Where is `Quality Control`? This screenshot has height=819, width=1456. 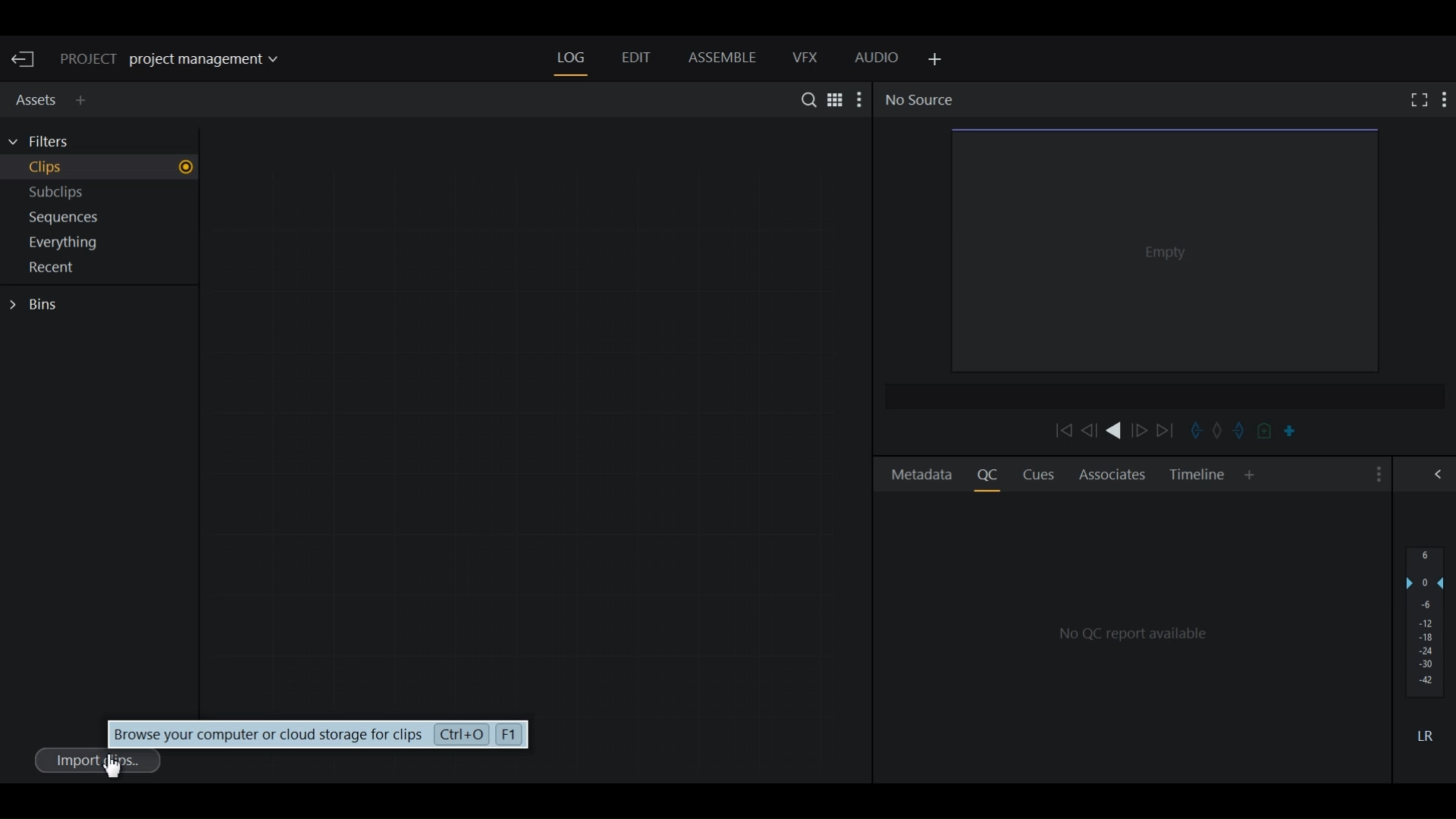
Quality Control is located at coordinates (991, 475).